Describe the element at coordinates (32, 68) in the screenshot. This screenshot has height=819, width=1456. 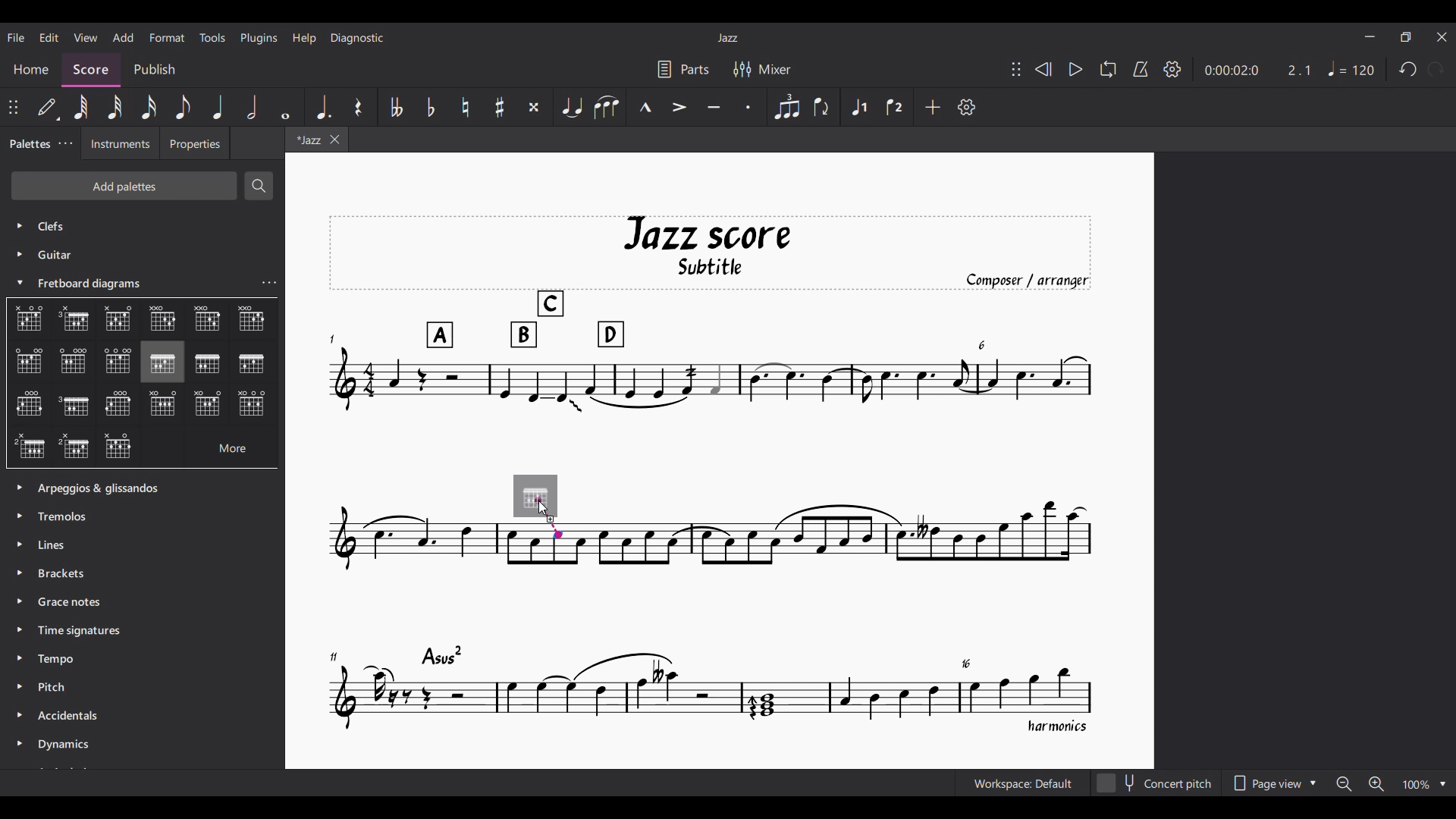
I see `Home` at that location.